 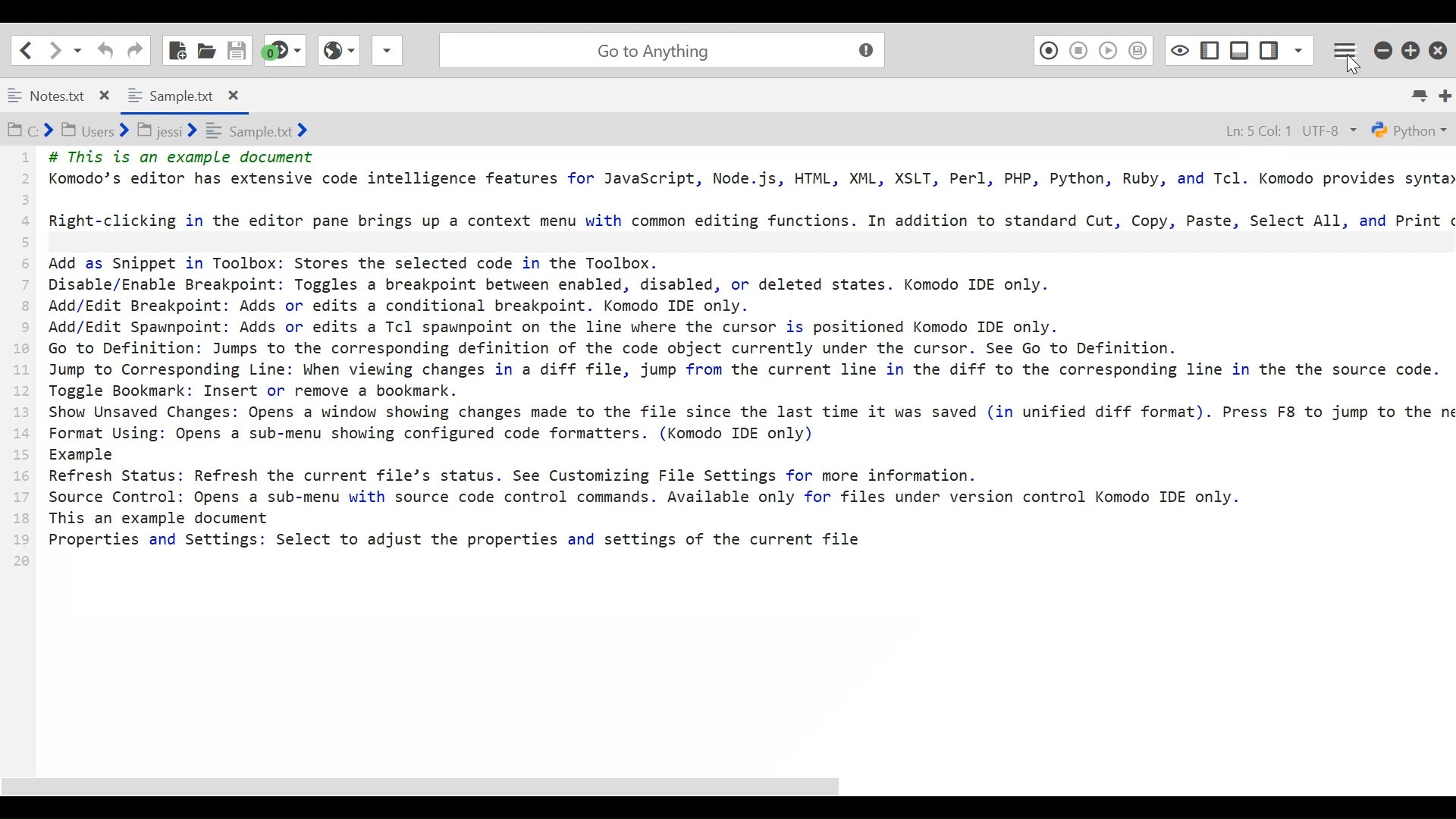 What do you see at coordinates (727, 783) in the screenshot?
I see `Scroll bar` at bounding box center [727, 783].